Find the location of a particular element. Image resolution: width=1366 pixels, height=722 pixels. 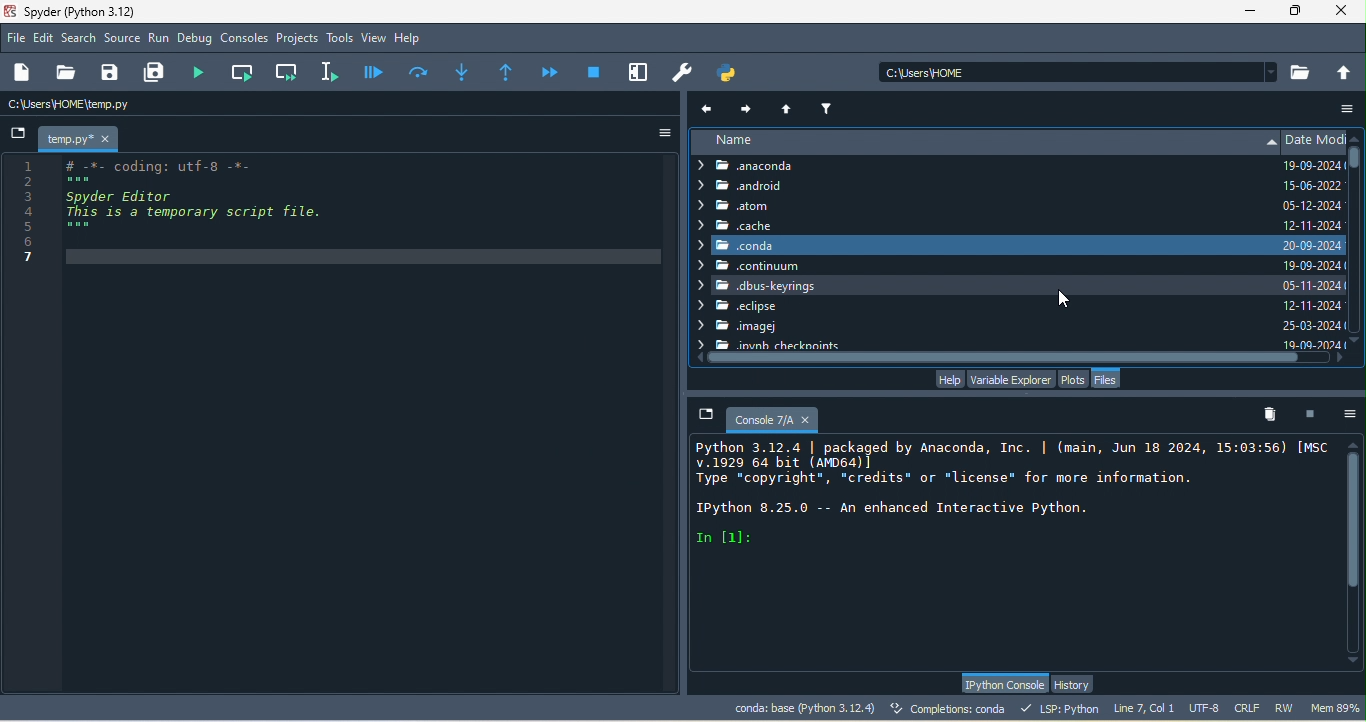

change to parent directory is located at coordinates (1345, 71).